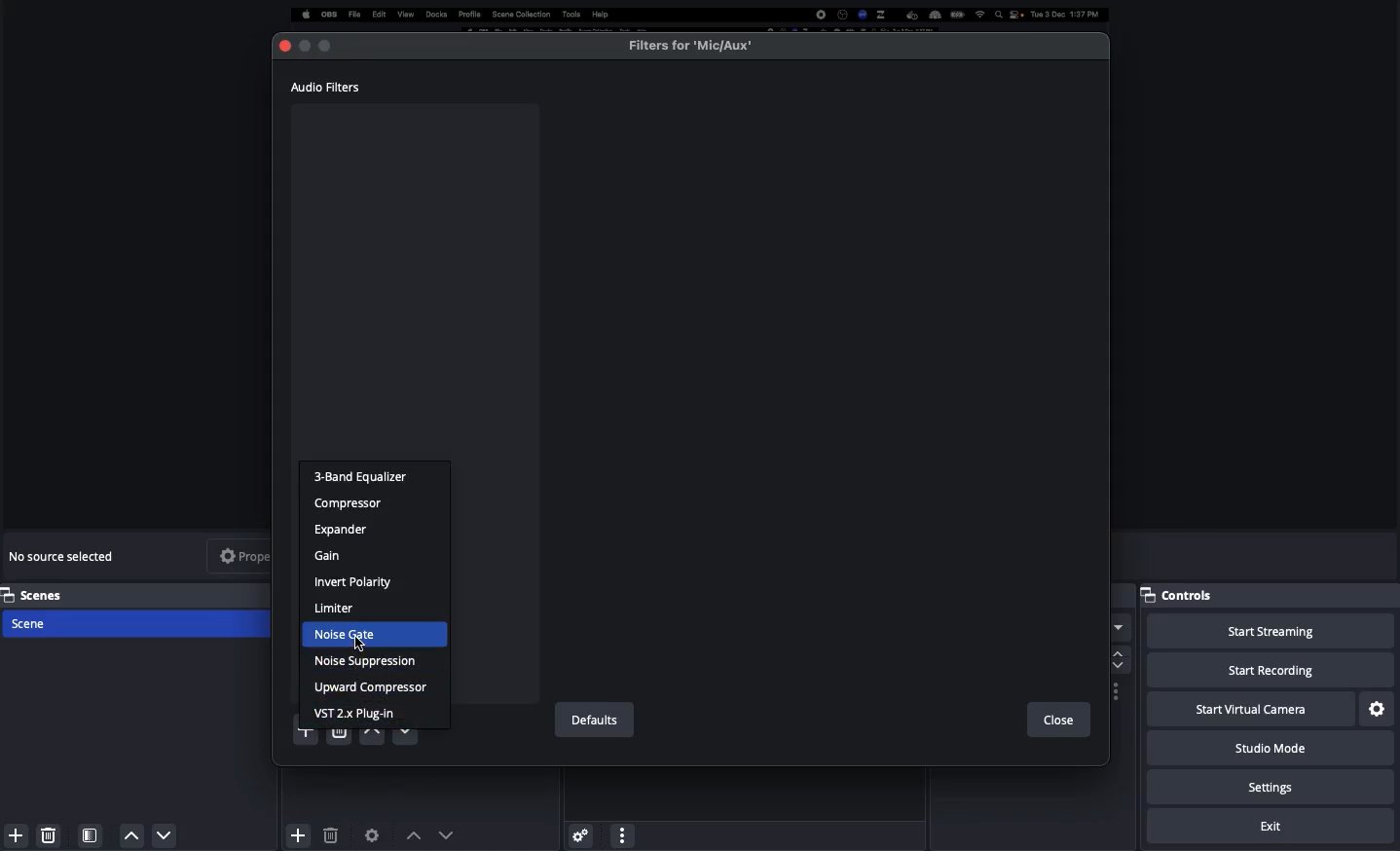 This screenshot has height=851, width=1400. Describe the element at coordinates (579, 832) in the screenshot. I see `Settings` at that location.